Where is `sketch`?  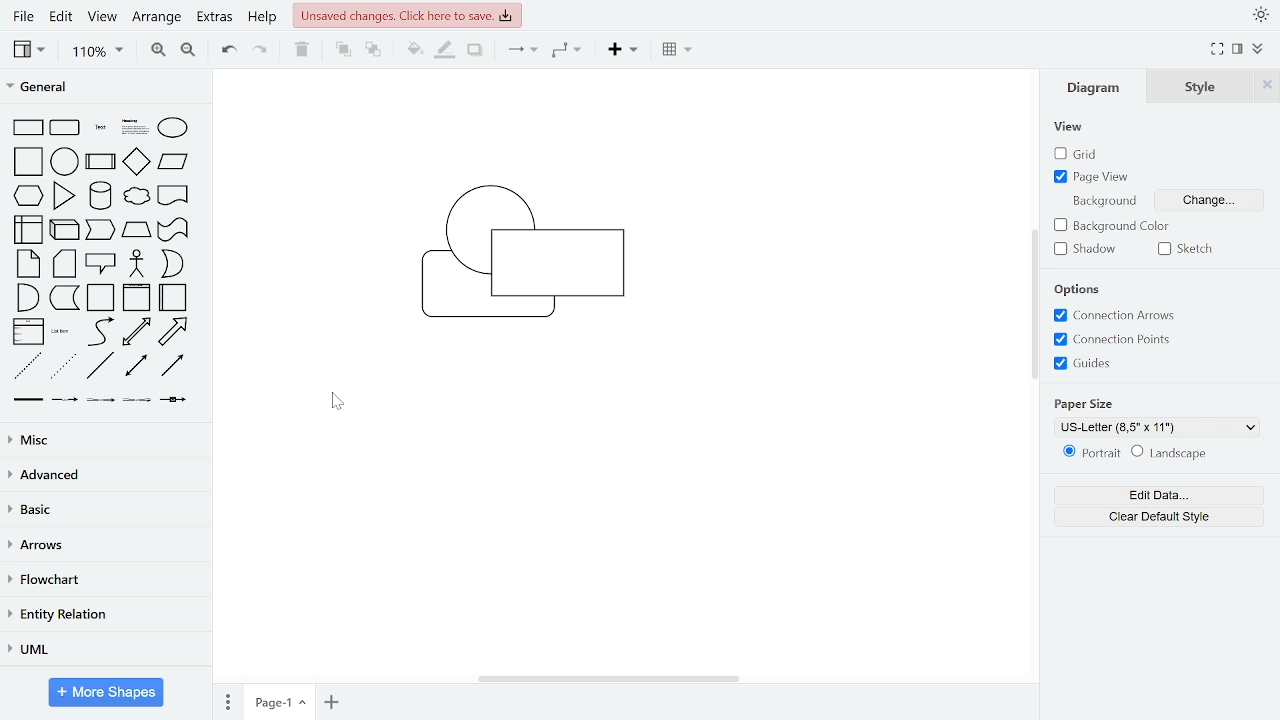
sketch is located at coordinates (1192, 249).